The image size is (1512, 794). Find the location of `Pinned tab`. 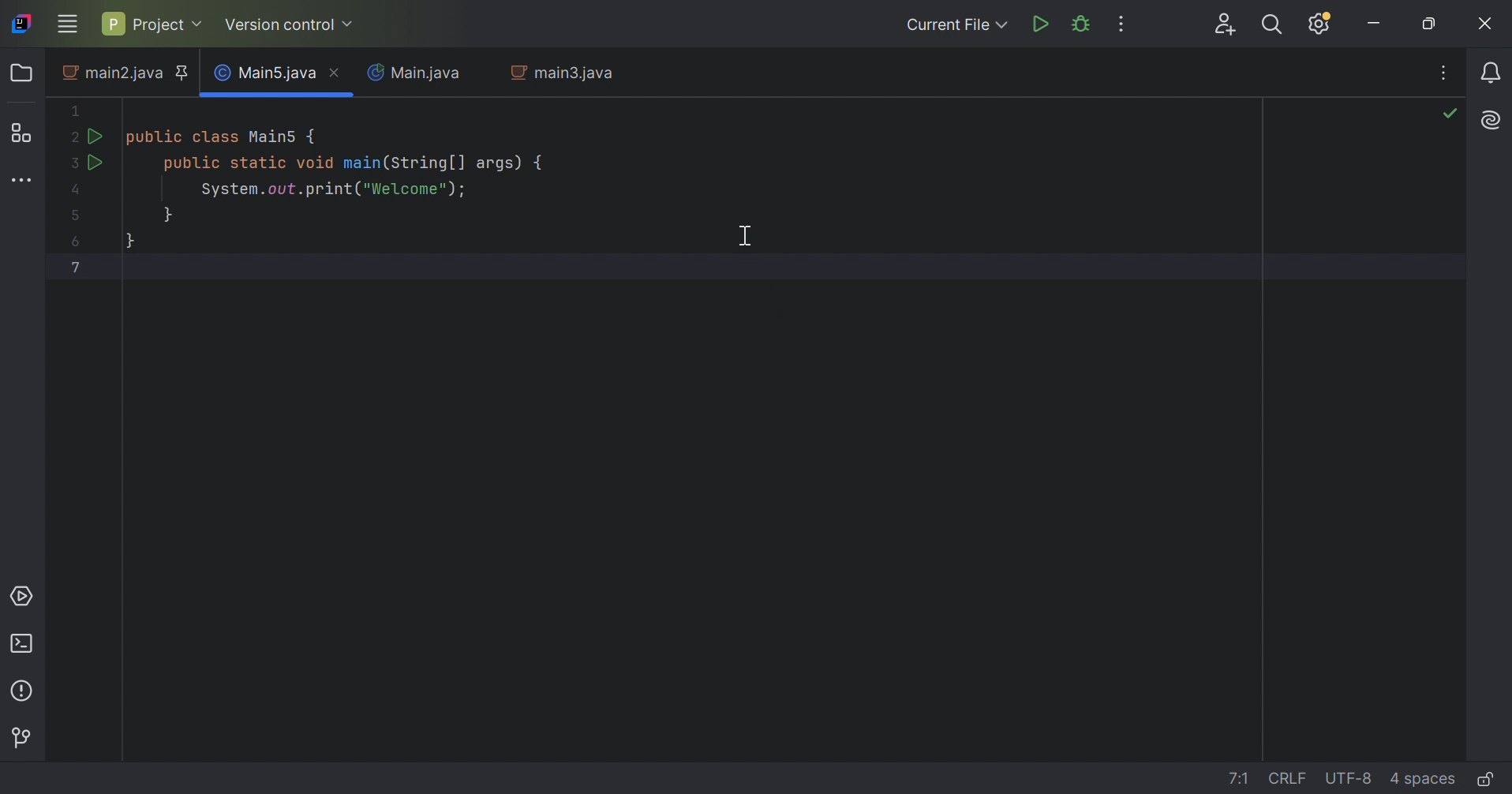

Pinned tab is located at coordinates (183, 73).